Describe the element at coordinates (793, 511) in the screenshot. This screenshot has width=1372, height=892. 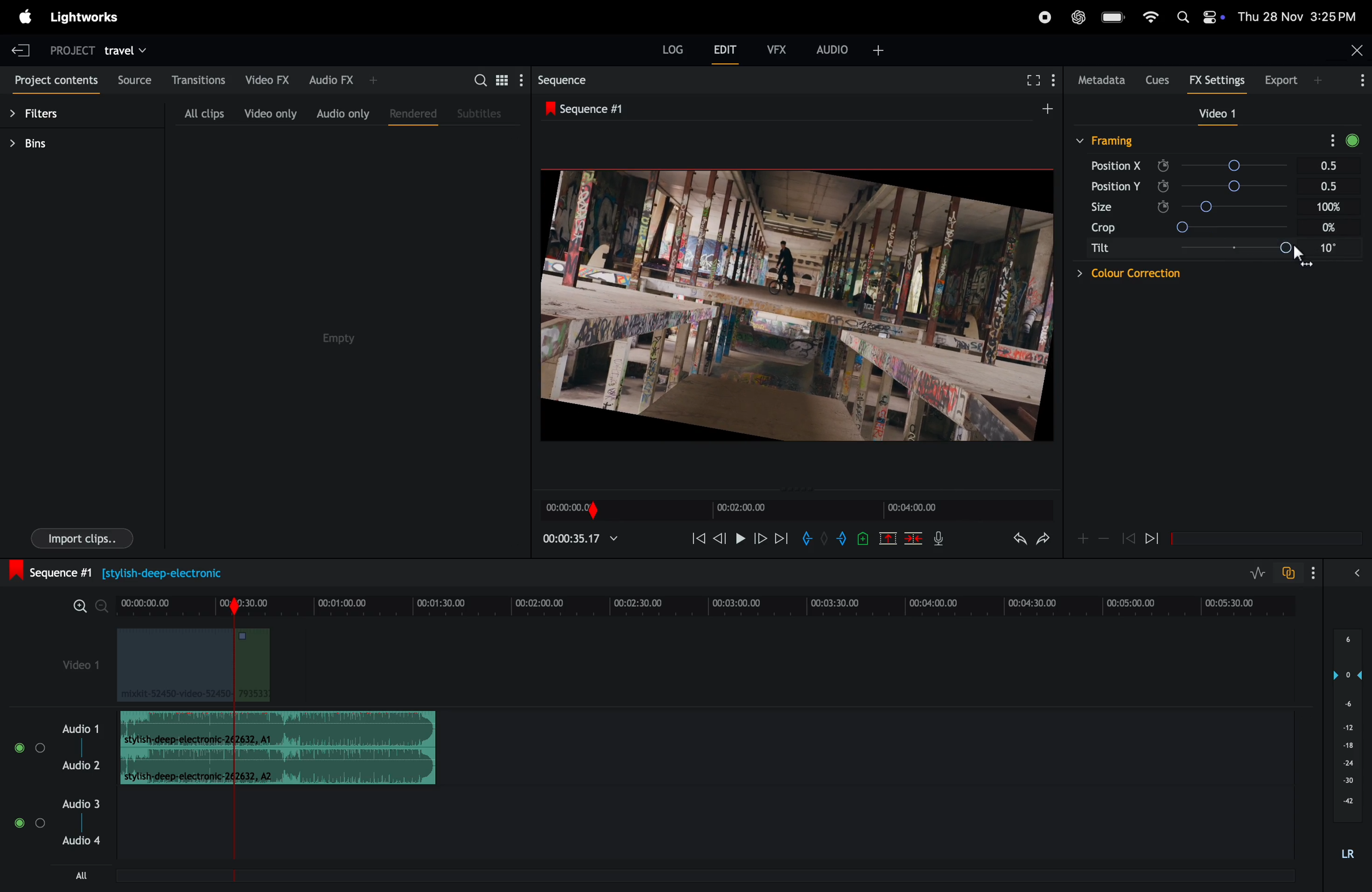
I see `time frames` at that location.